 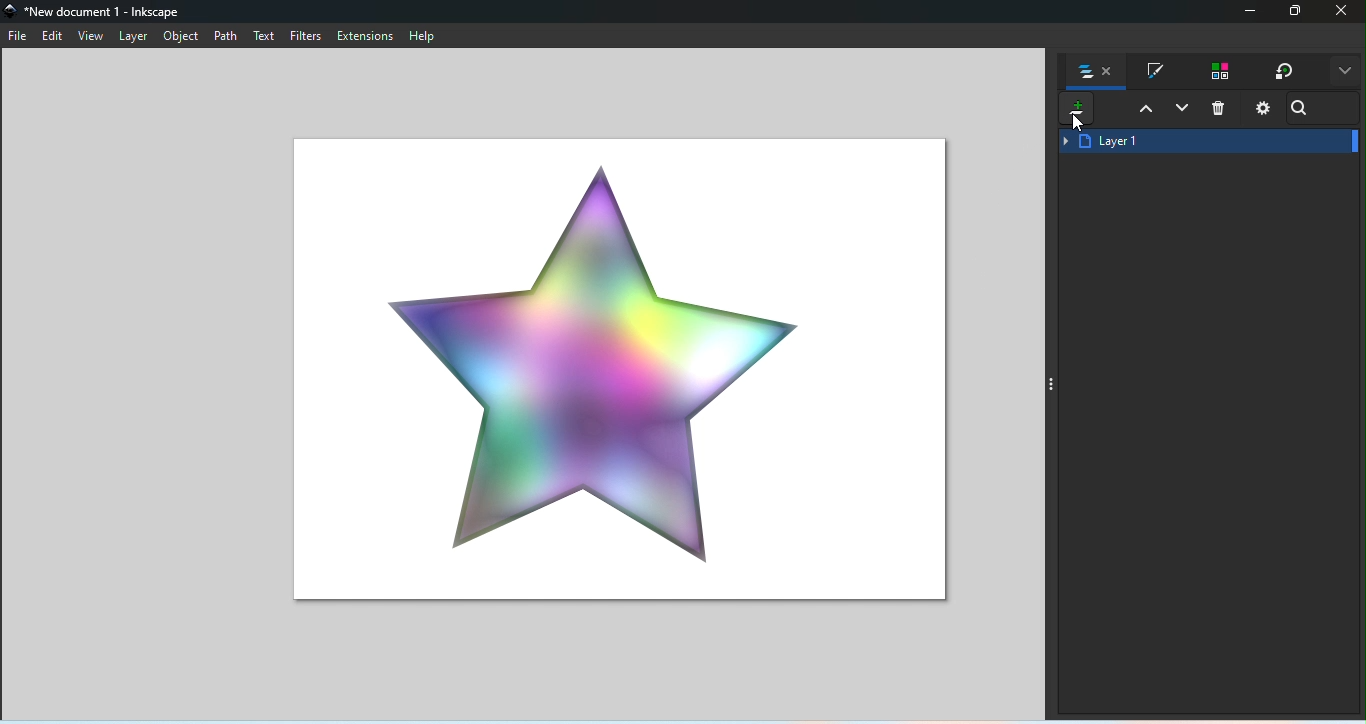 What do you see at coordinates (1298, 13) in the screenshot?
I see `Maximize` at bounding box center [1298, 13].